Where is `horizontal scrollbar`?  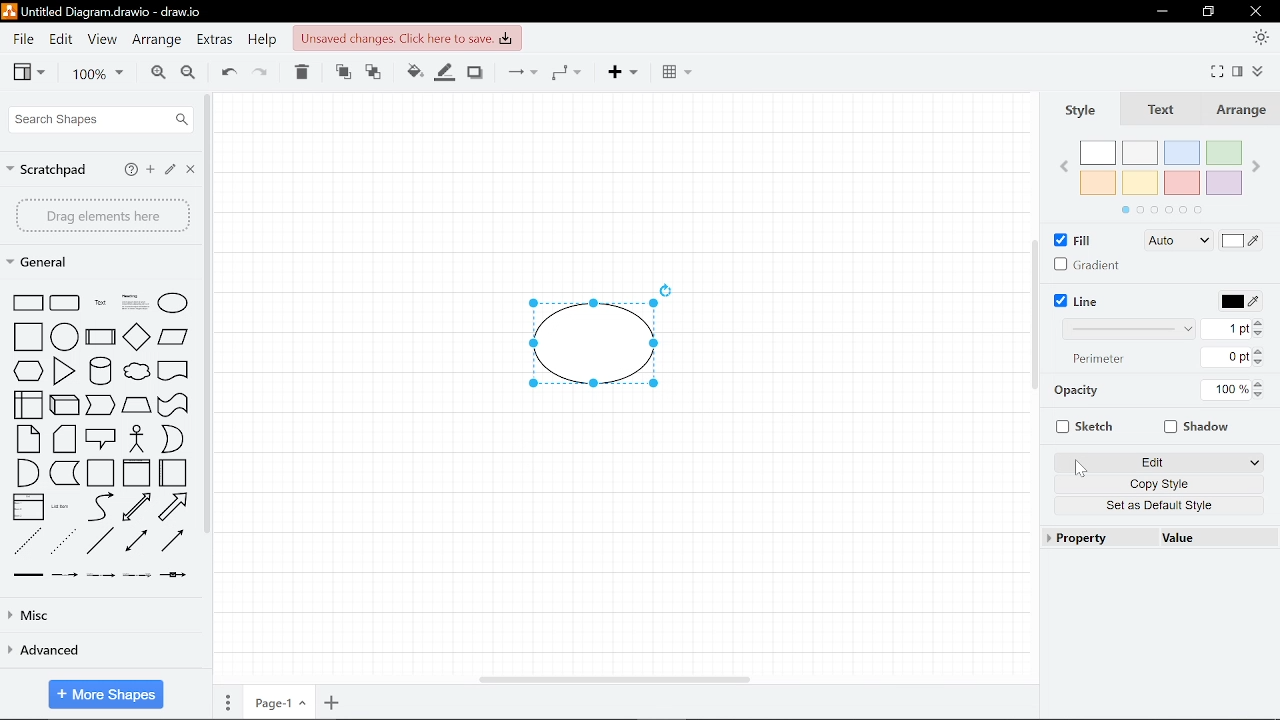
horizontal scrollbar is located at coordinates (610, 679).